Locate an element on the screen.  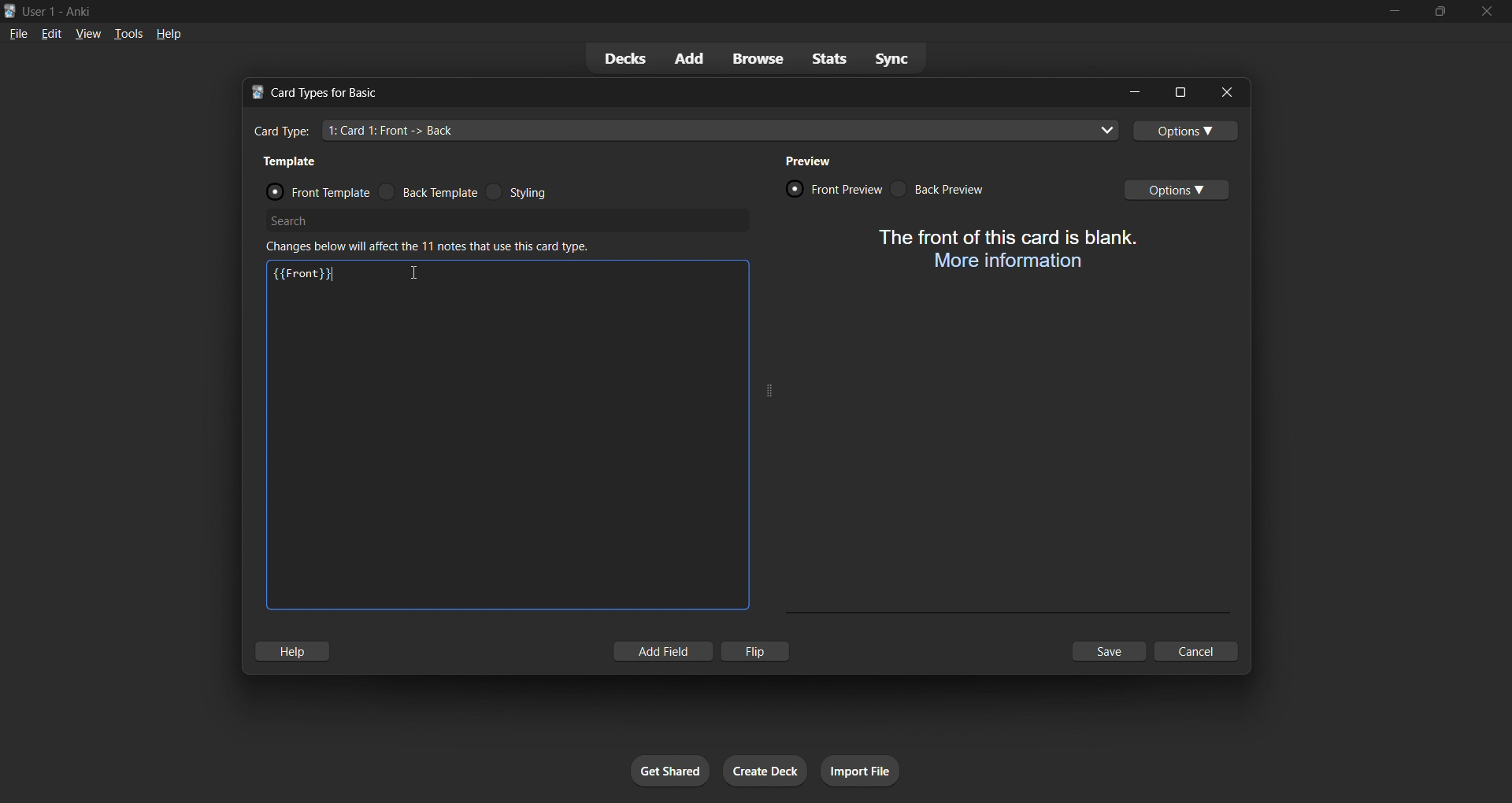
cursor is located at coordinates (415, 273).